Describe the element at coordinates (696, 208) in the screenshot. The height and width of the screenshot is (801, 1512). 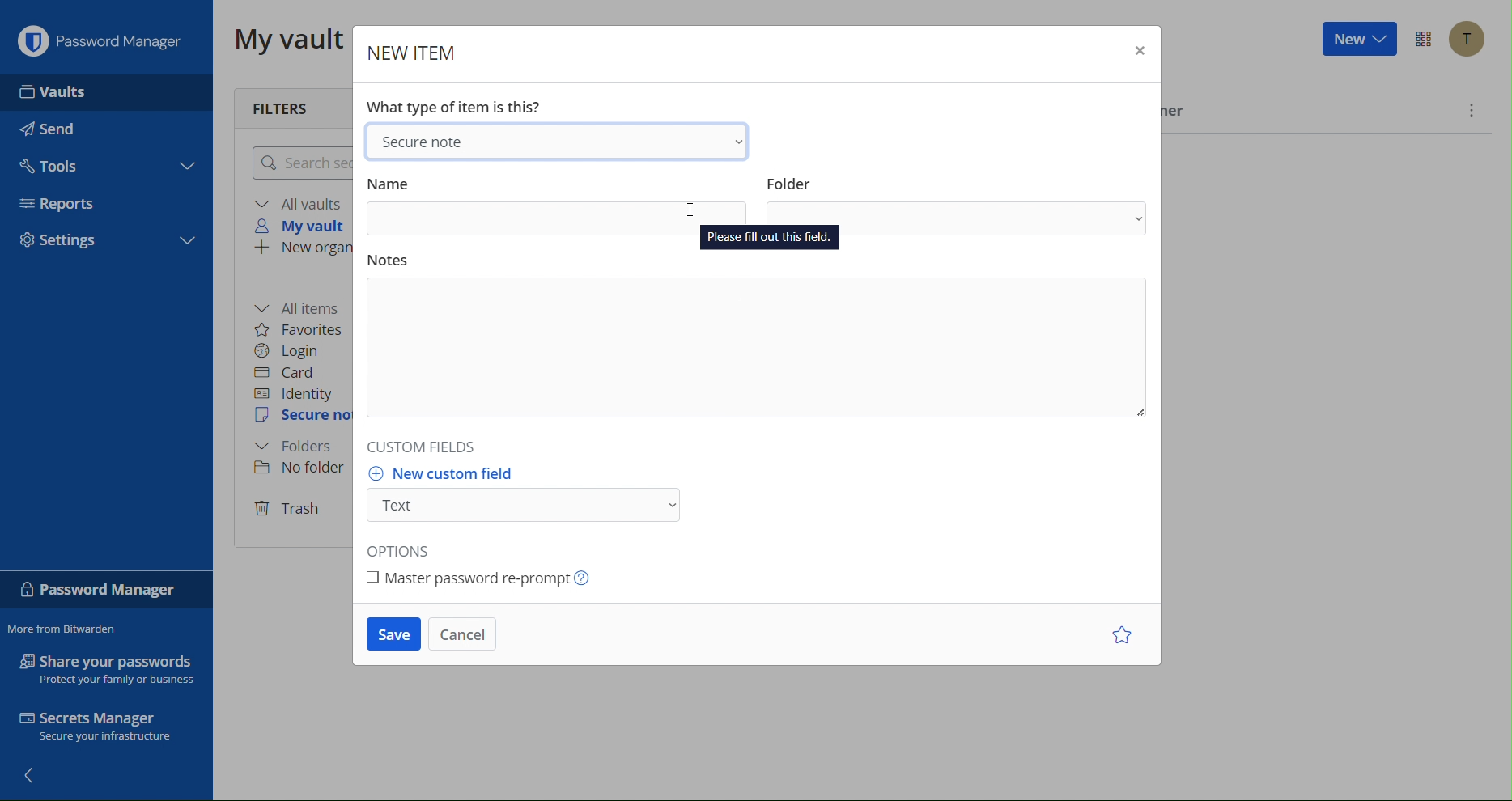
I see `Cursor` at that location.